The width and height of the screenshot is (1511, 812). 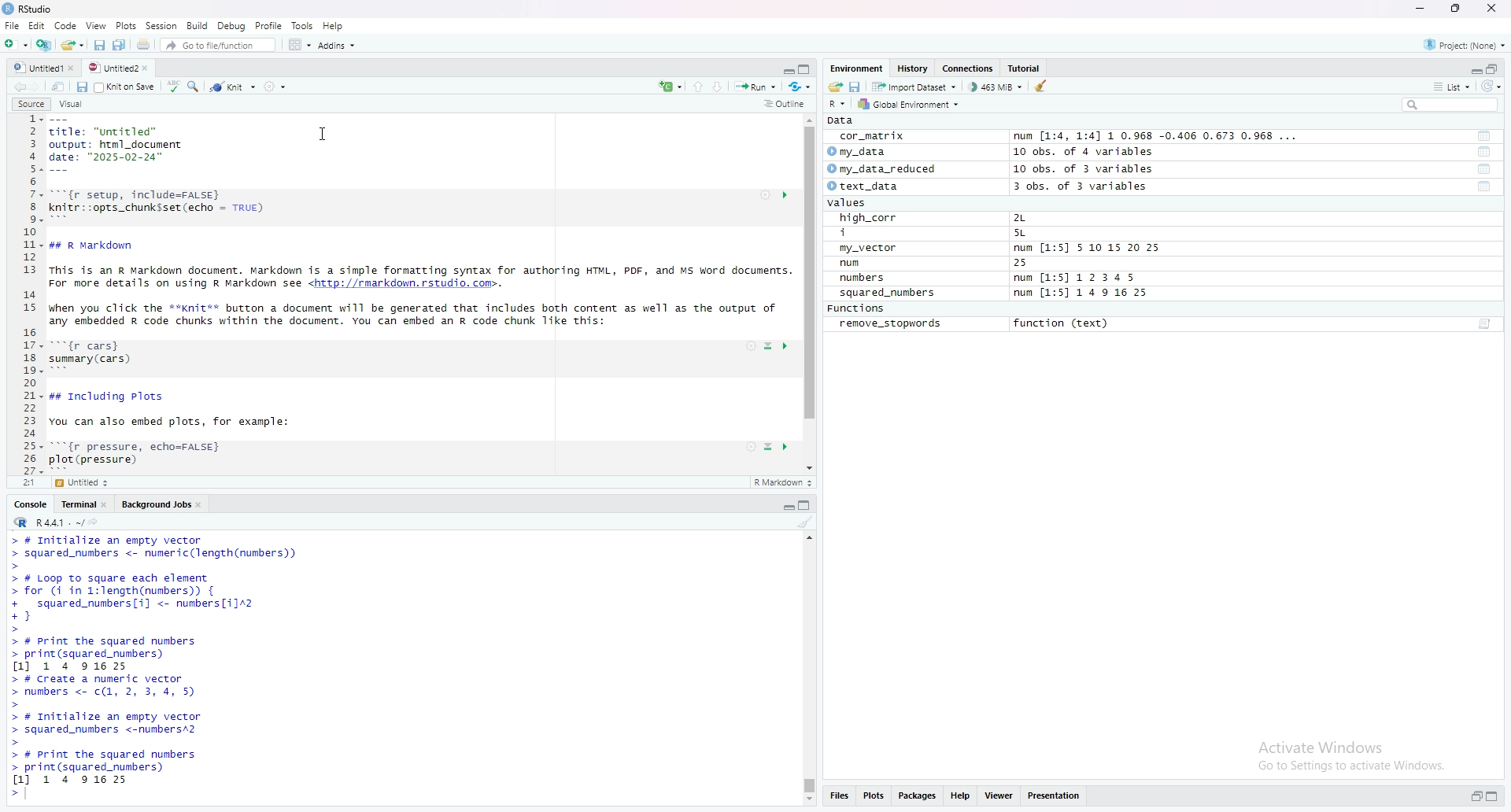 I want to click on Go to file/function, so click(x=220, y=45).